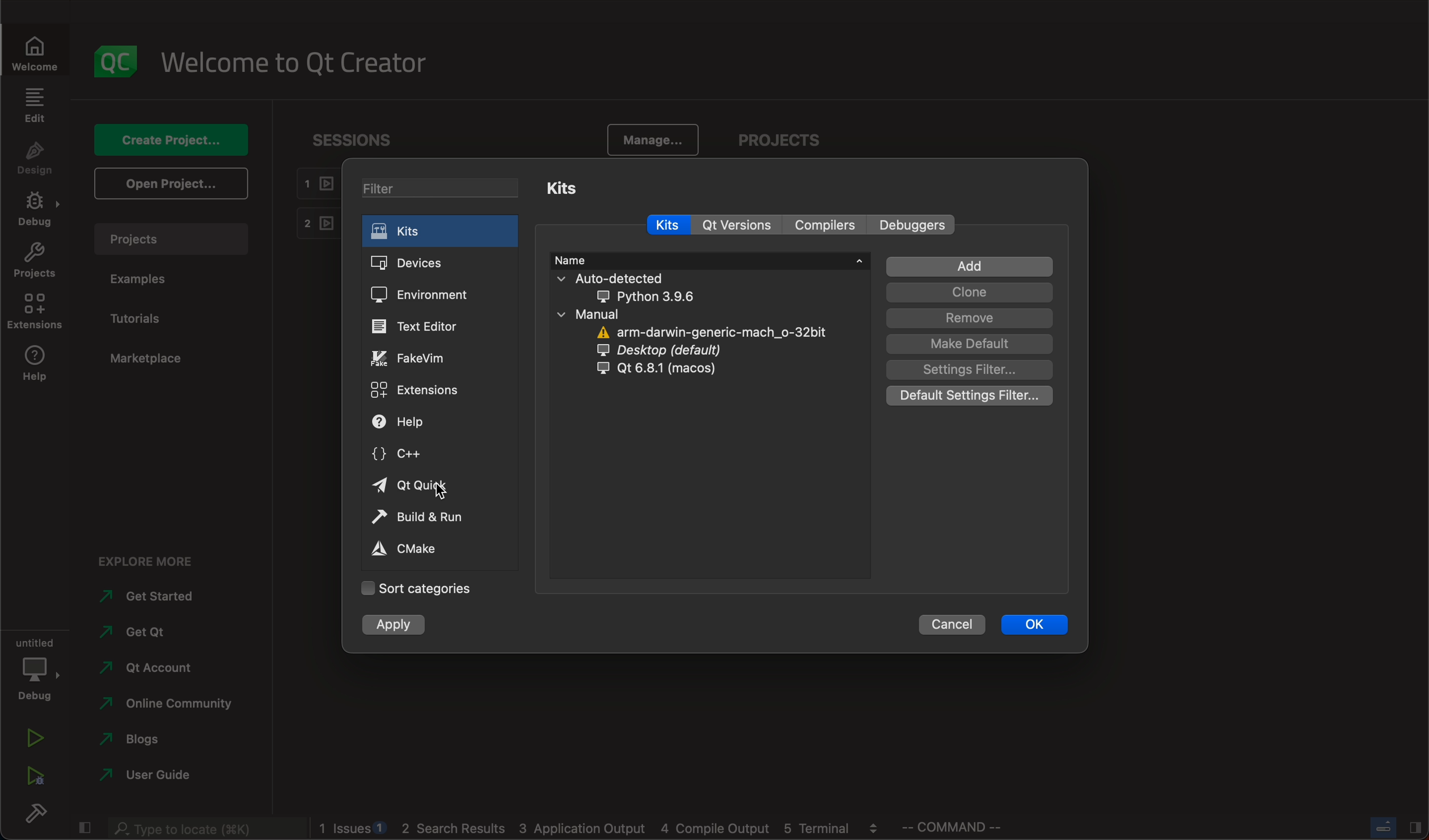  What do you see at coordinates (35, 159) in the screenshot?
I see `design` at bounding box center [35, 159].